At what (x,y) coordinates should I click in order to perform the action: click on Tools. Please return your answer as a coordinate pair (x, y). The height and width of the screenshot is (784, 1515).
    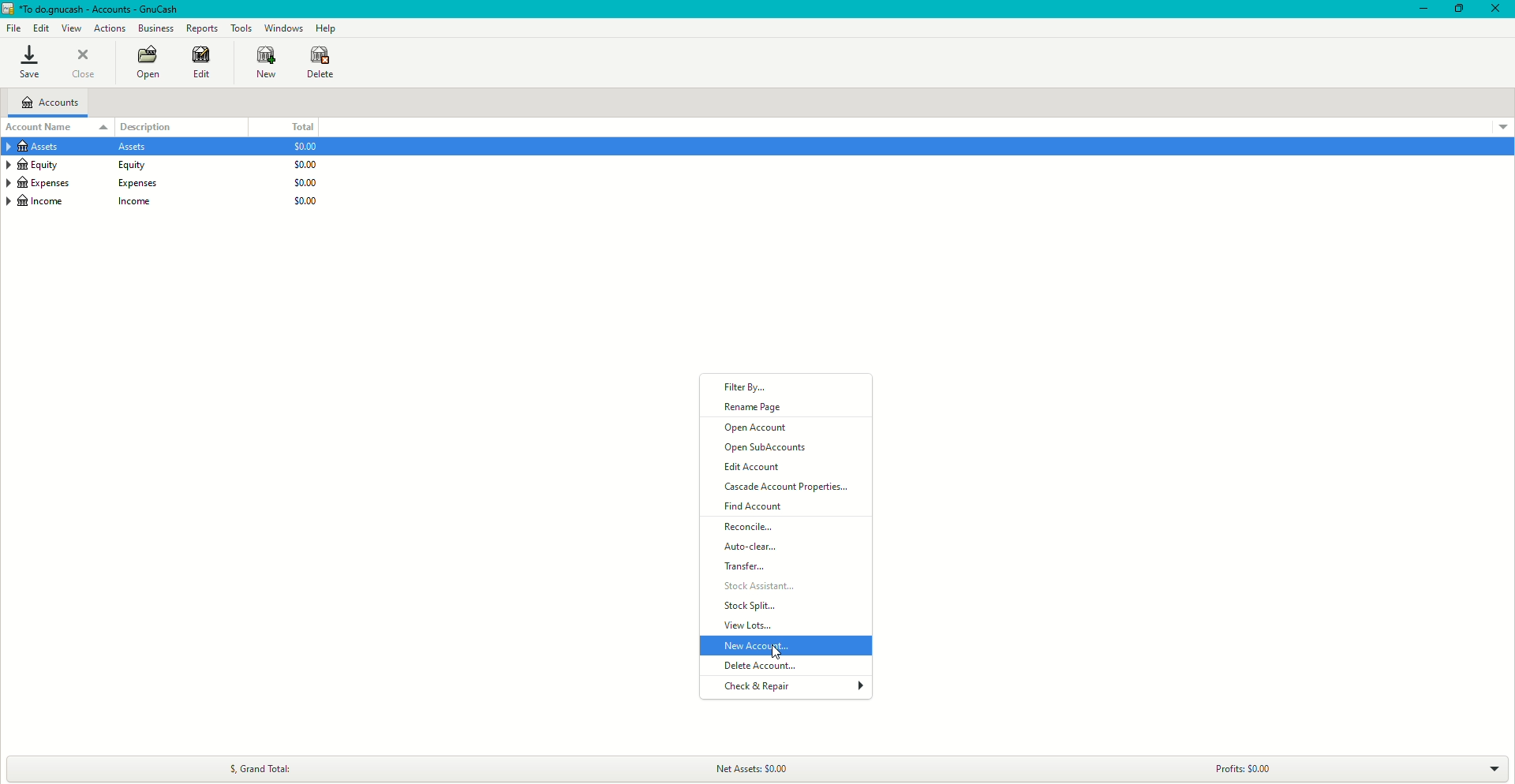
    Looking at the image, I should click on (241, 28).